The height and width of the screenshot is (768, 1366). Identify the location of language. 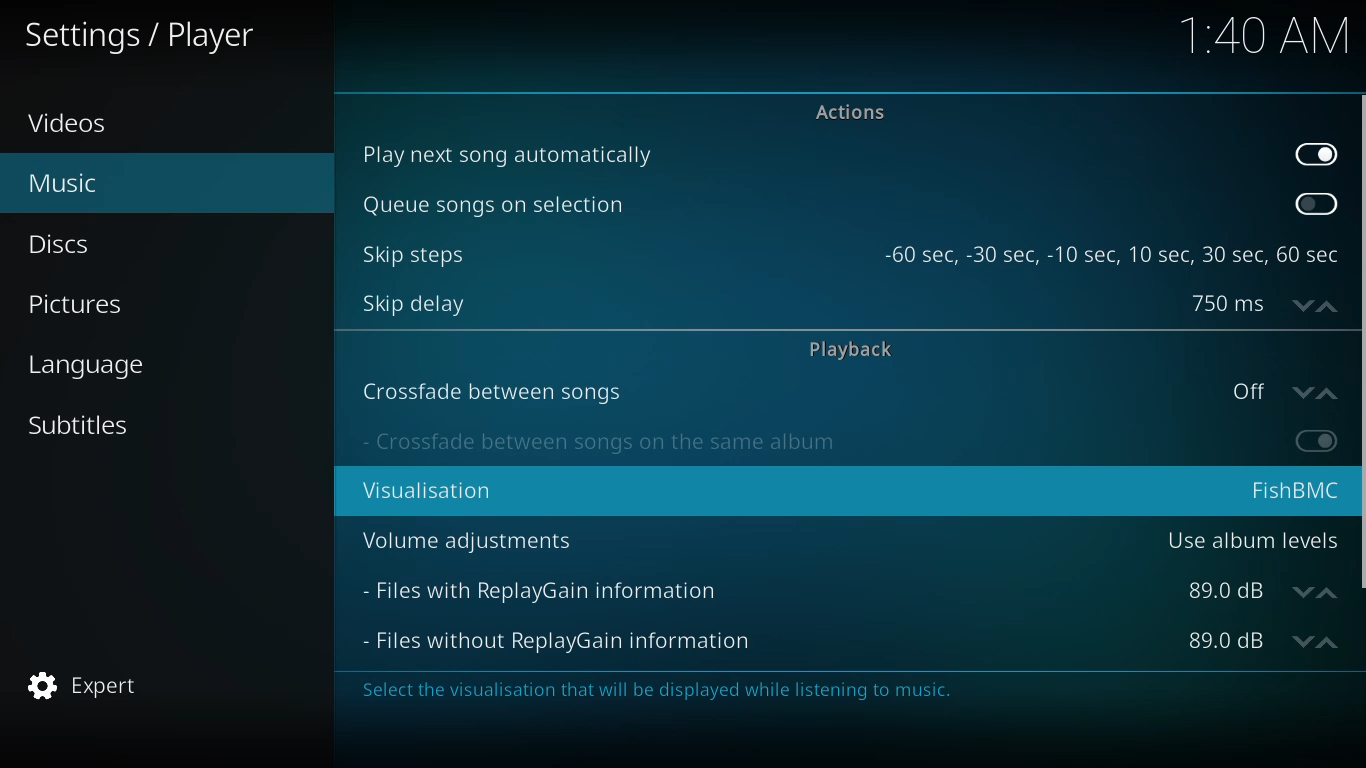
(95, 365).